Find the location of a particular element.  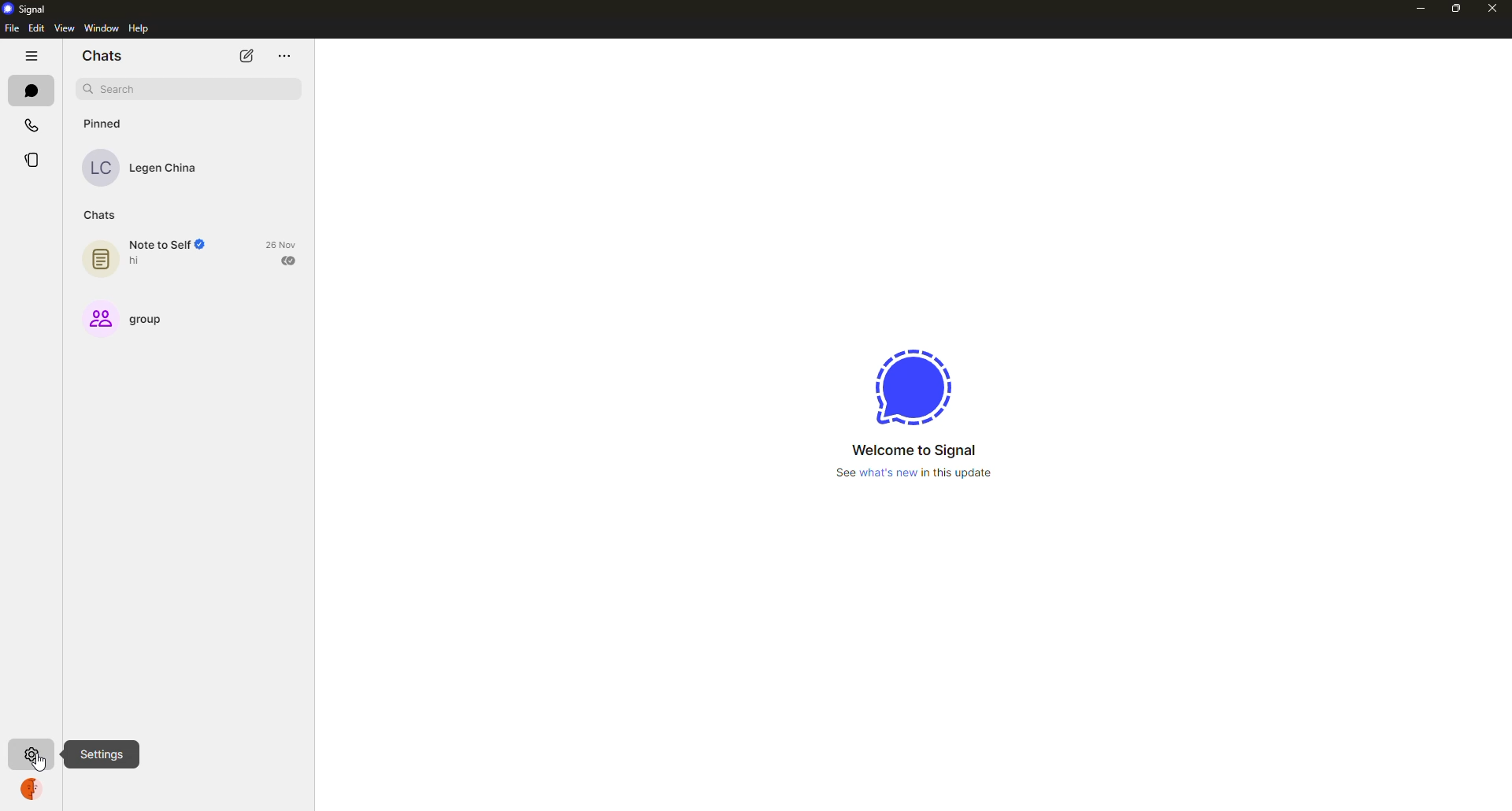

hi is located at coordinates (139, 261).